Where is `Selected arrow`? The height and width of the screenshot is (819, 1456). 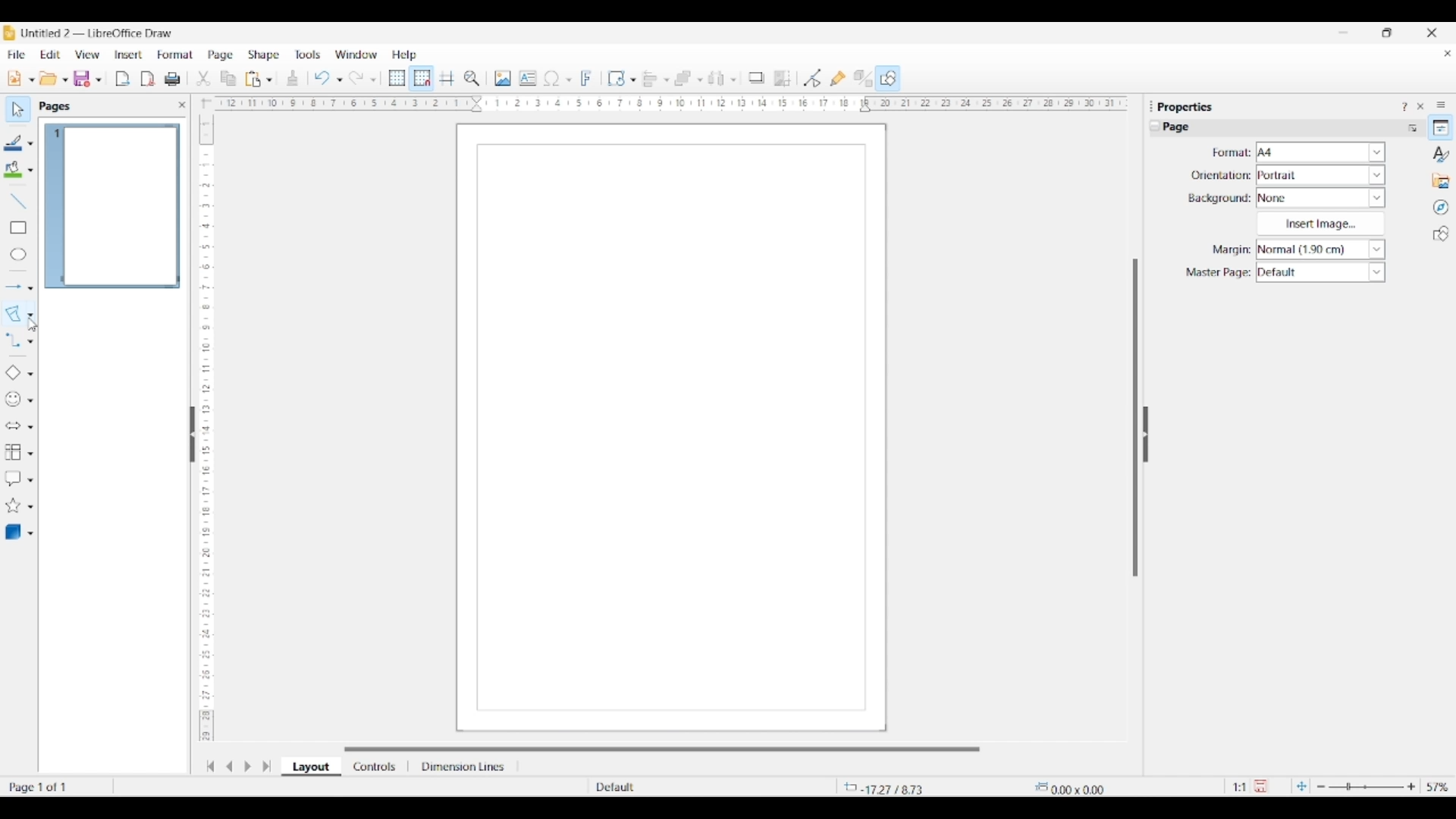
Selected arrow is located at coordinates (14, 287).